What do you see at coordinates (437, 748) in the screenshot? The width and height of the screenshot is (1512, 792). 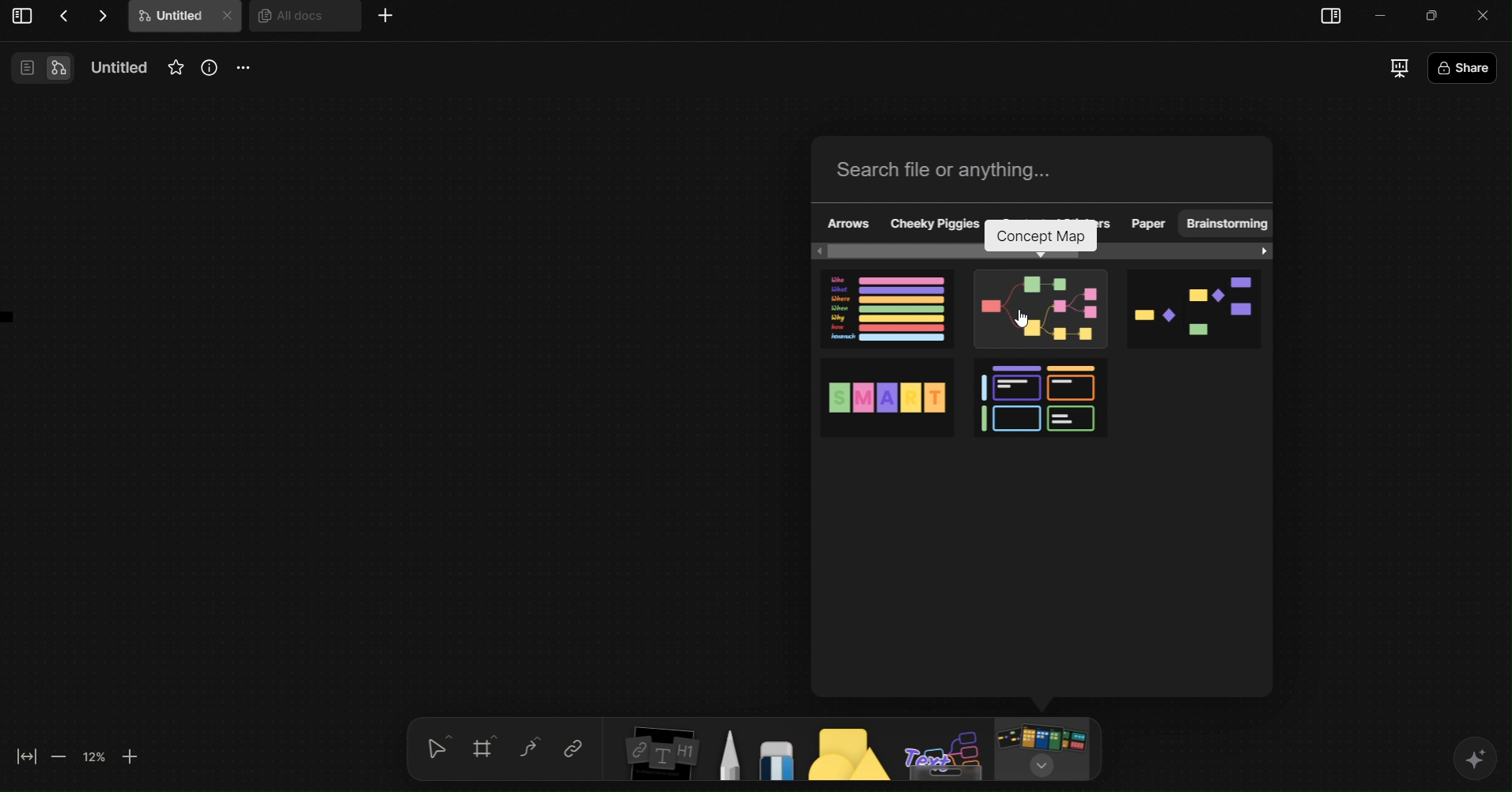 I see `selection tool` at bounding box center [437, 748].